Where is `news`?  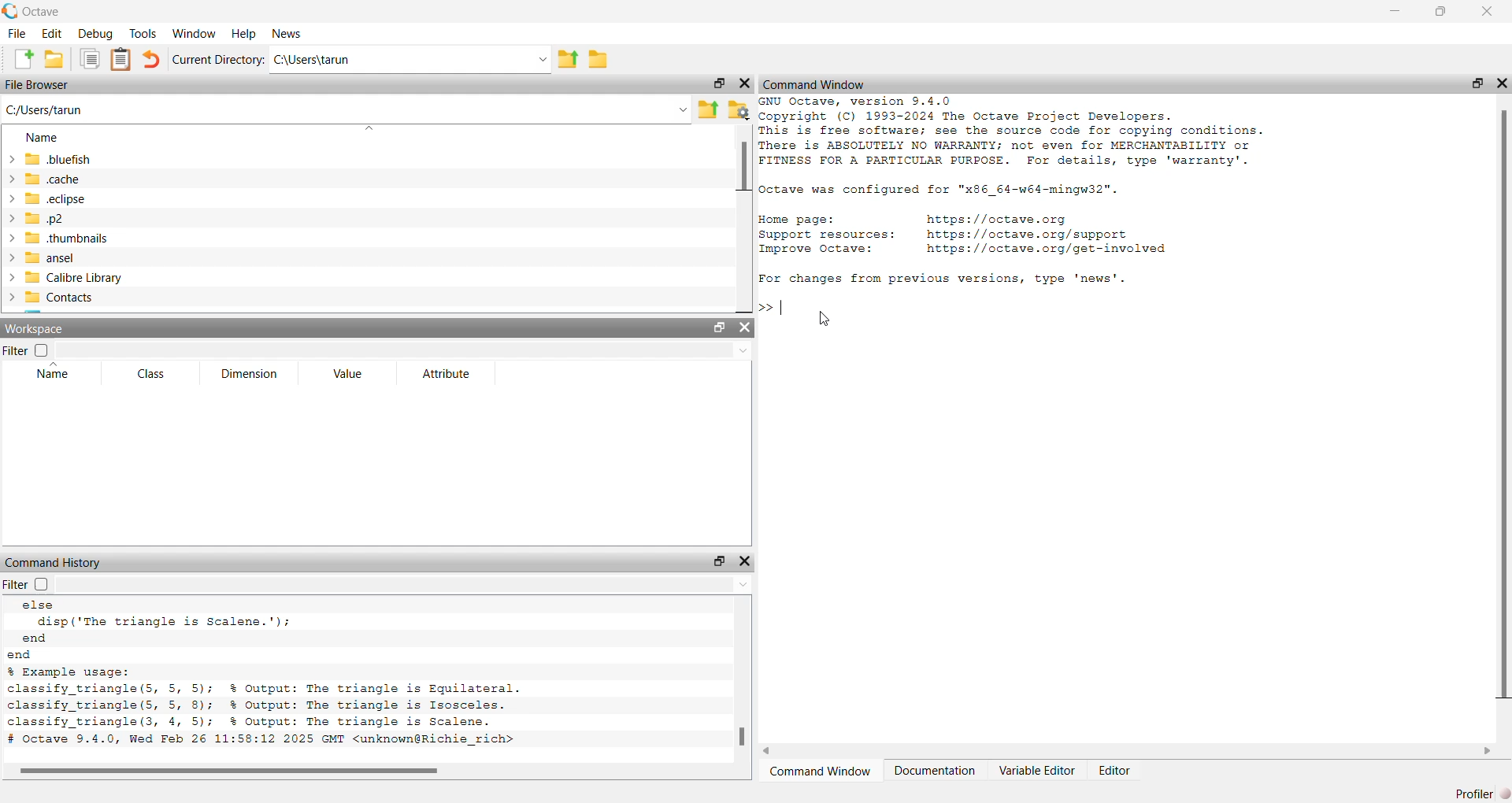 news is located at coordinates (291, 34).